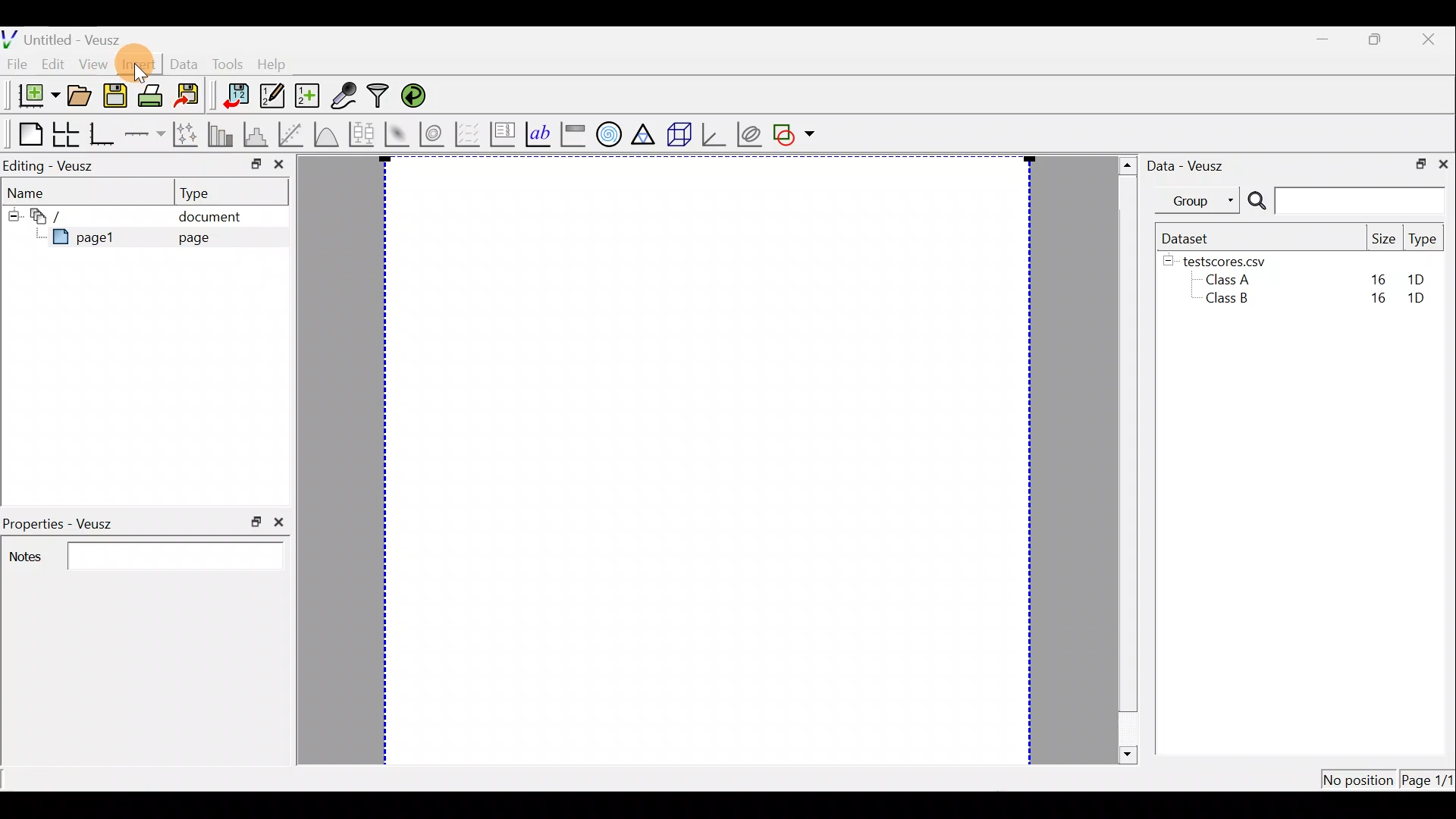 This screenshot has width=1456, height=819. What do you see at coordinates (536, 133) in the screenshot?
I see `Text label` at bounding box center [536, 133].